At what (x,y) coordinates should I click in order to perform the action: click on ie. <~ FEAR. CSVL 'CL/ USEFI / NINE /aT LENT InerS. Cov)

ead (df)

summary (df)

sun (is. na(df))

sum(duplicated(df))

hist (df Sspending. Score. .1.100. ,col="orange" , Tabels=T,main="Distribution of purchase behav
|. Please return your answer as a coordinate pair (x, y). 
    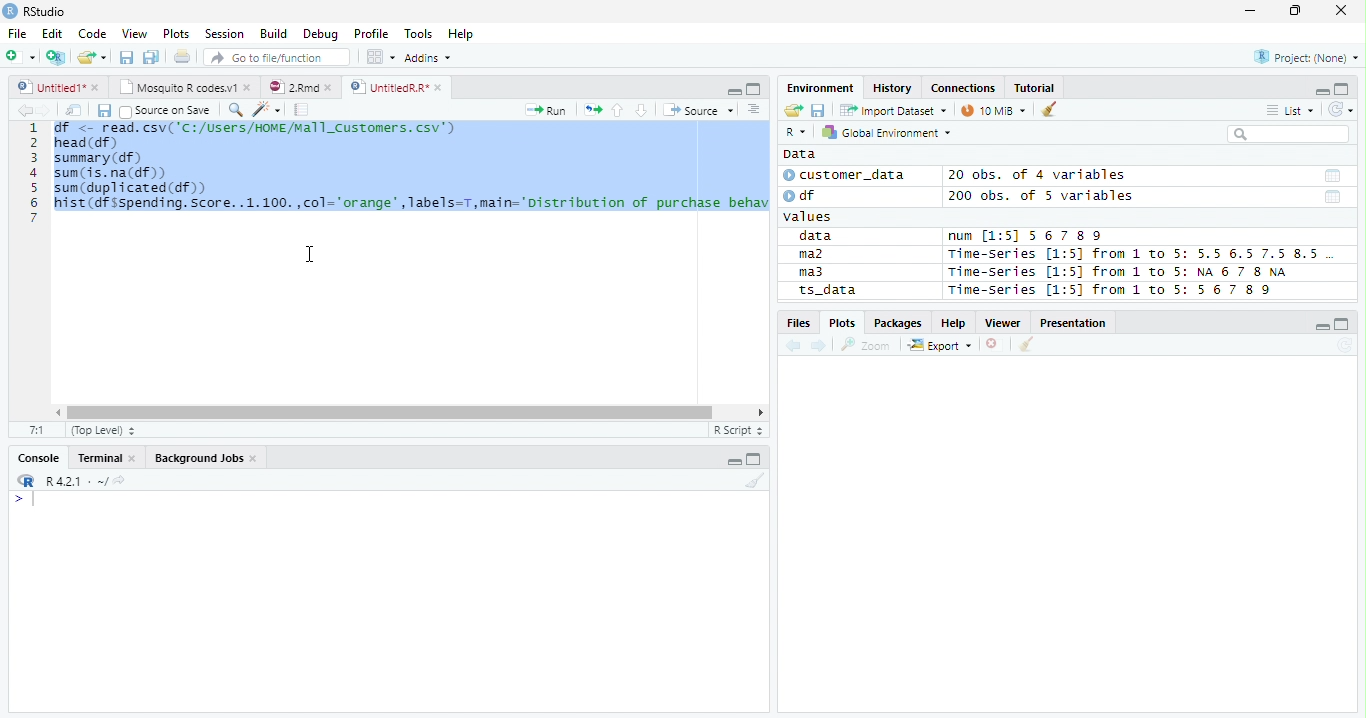
    Looking at the image, I should click on (413, 176).